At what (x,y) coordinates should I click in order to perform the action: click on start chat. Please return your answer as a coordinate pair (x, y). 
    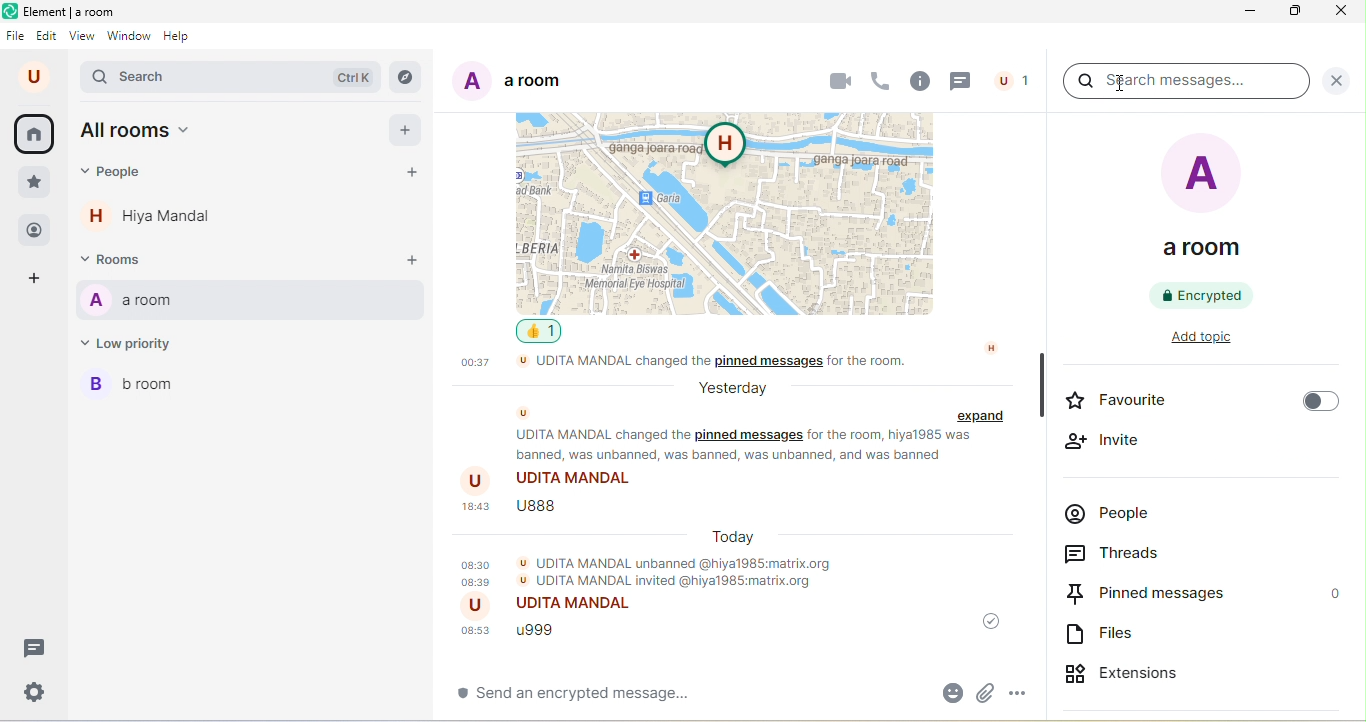
    Looking at the image, I should click on (417, 174).